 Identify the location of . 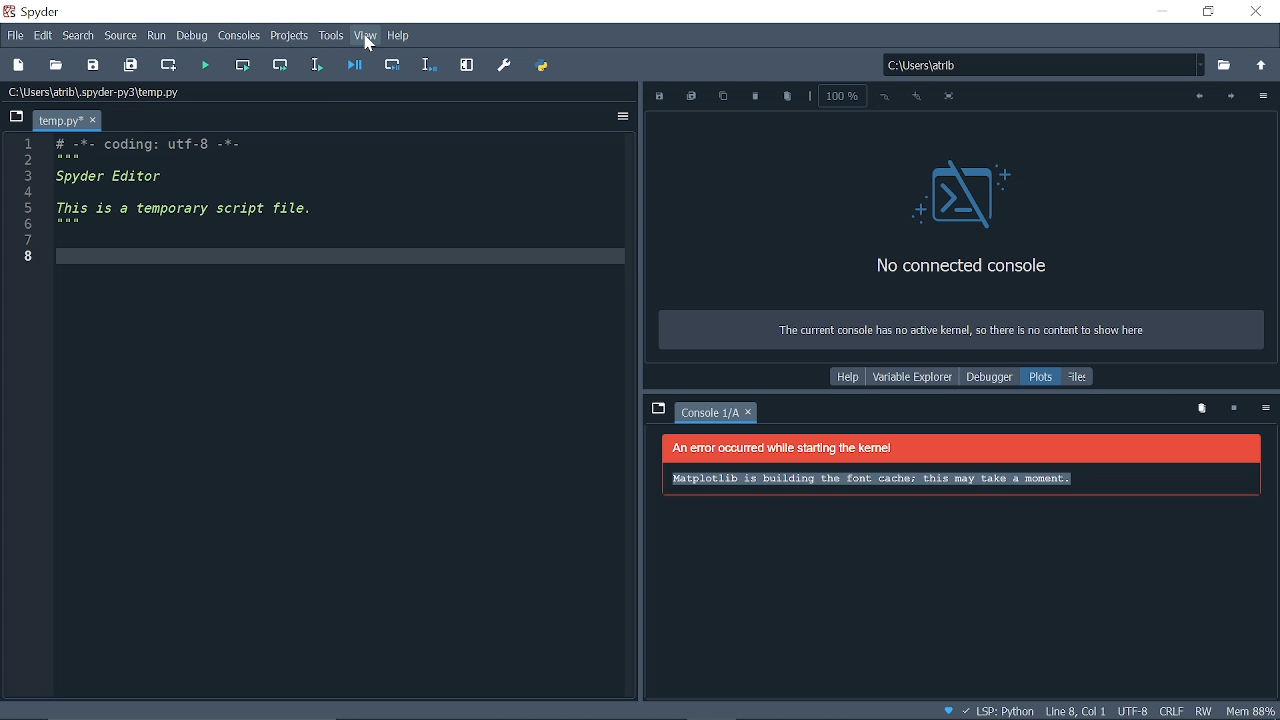
(751, 412).